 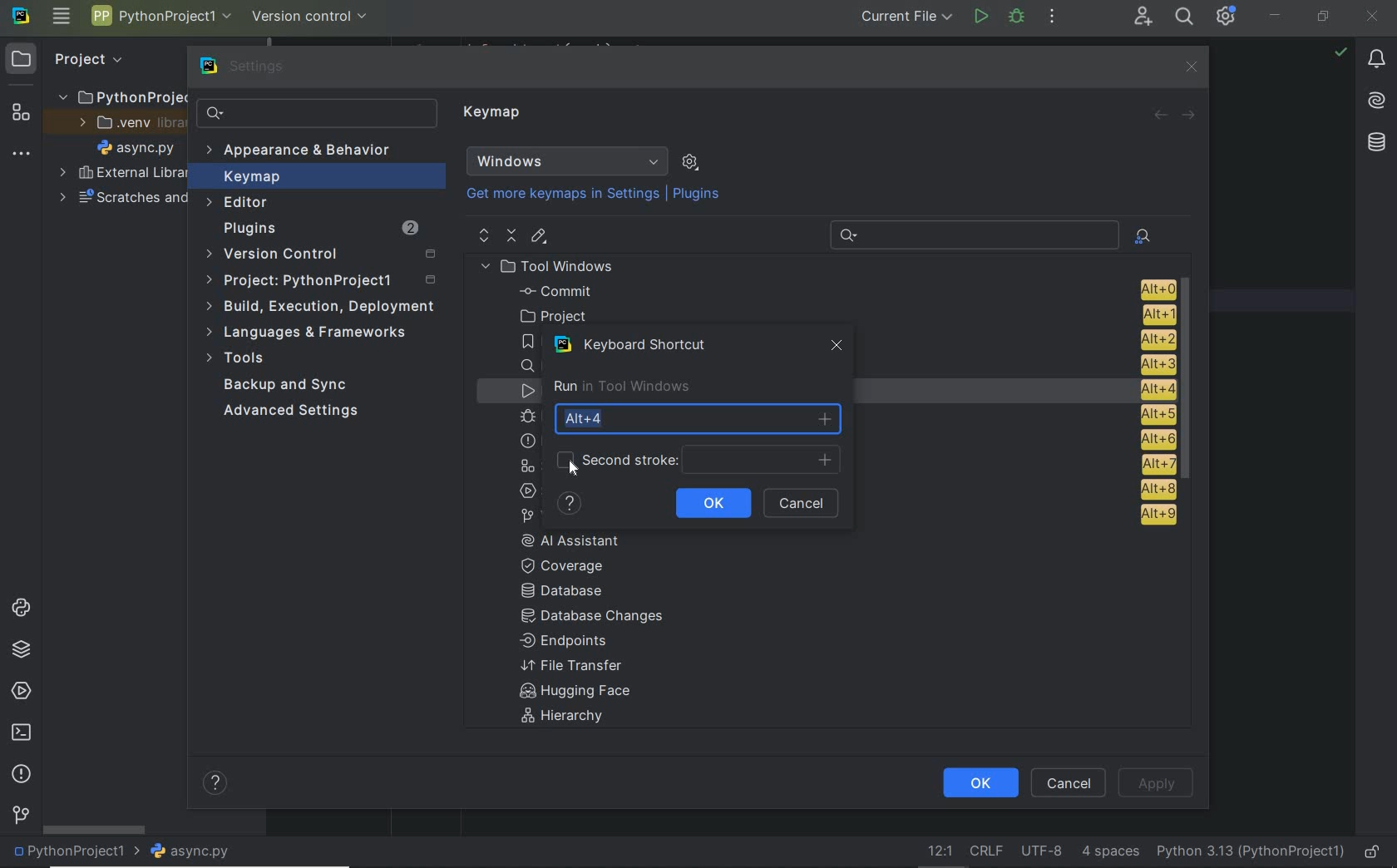 What do you see at coordinates (1152, 489) in the screenshot?
I see `alt + 8` at bounding box center [1152, 489].